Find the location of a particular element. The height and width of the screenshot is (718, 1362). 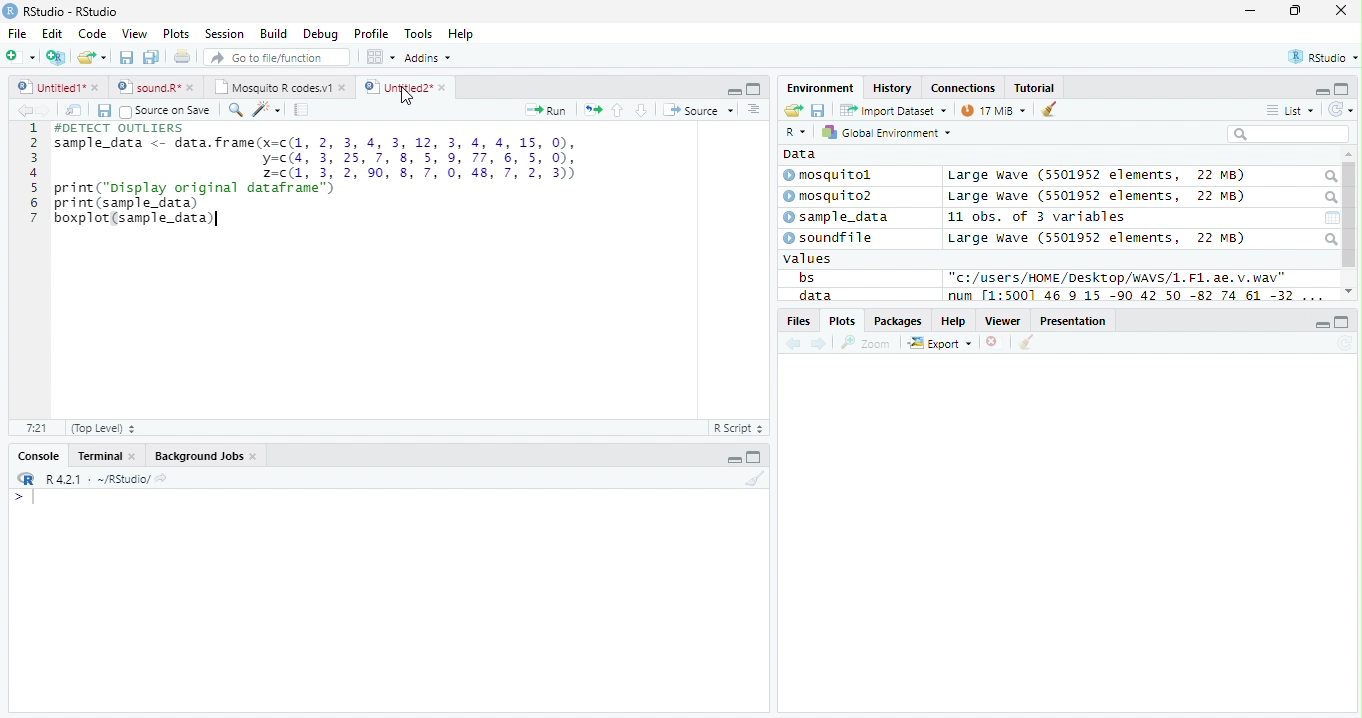

Print is located at coordinates (183, 58).